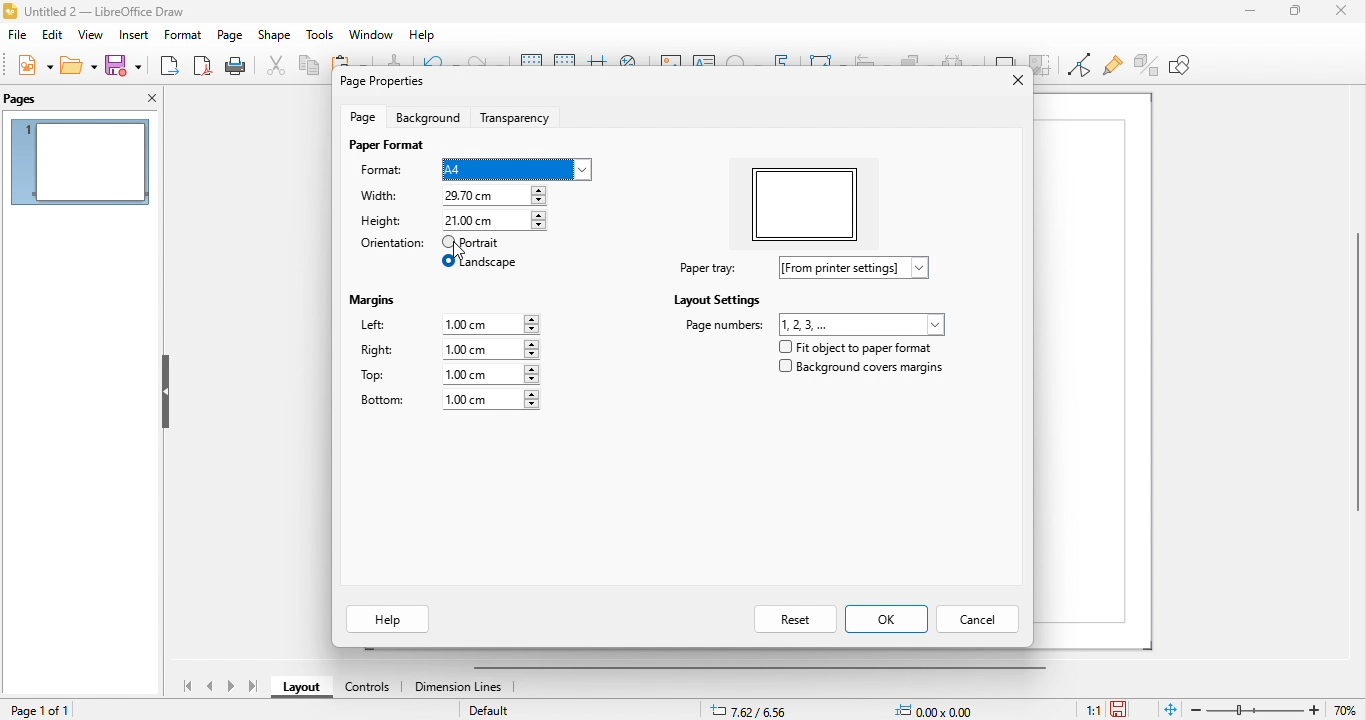  I want to click on minimize, so click(1241, 19).